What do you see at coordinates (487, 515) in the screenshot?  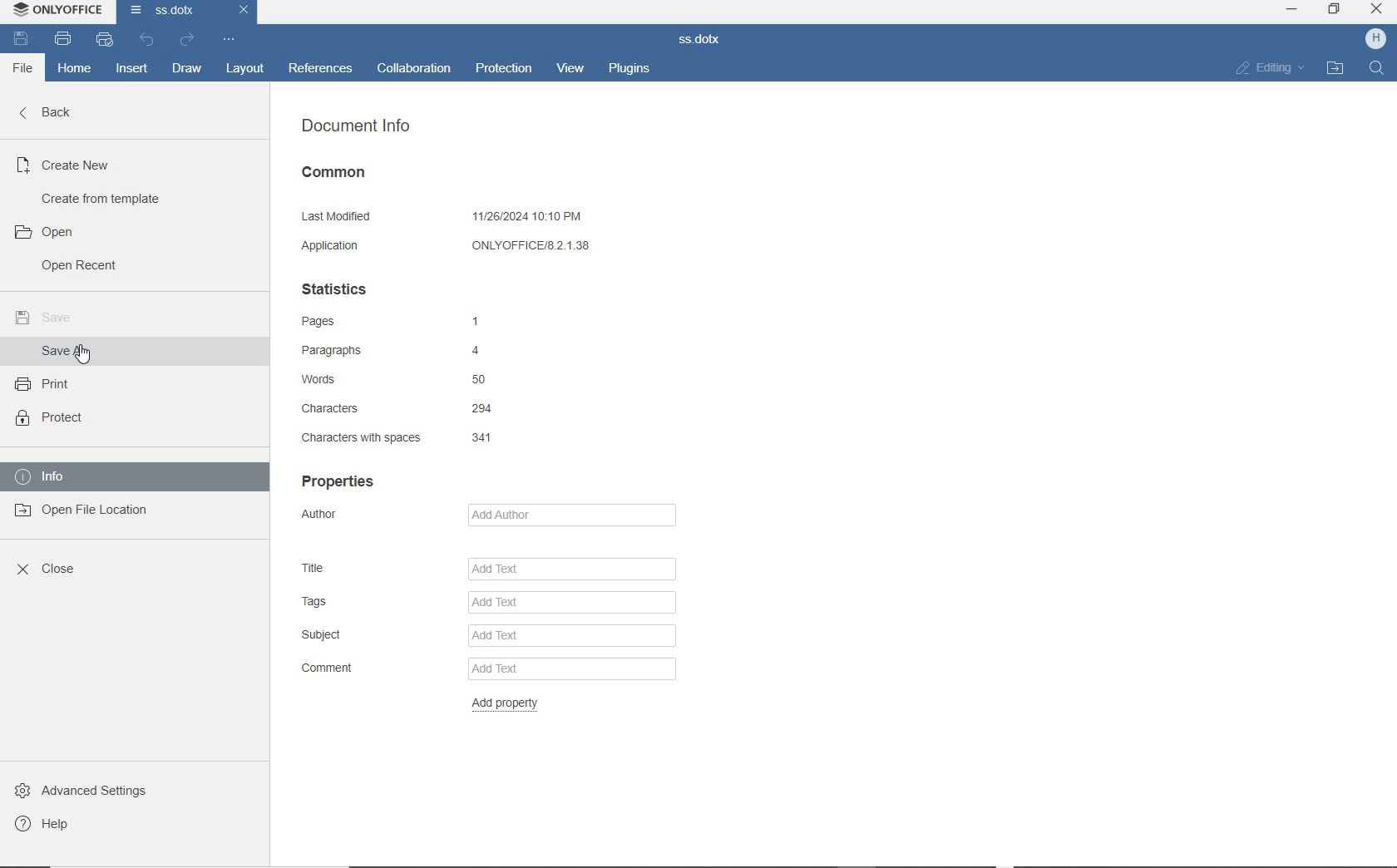 I see `AUTHOR` at bounding box center [487, 515].